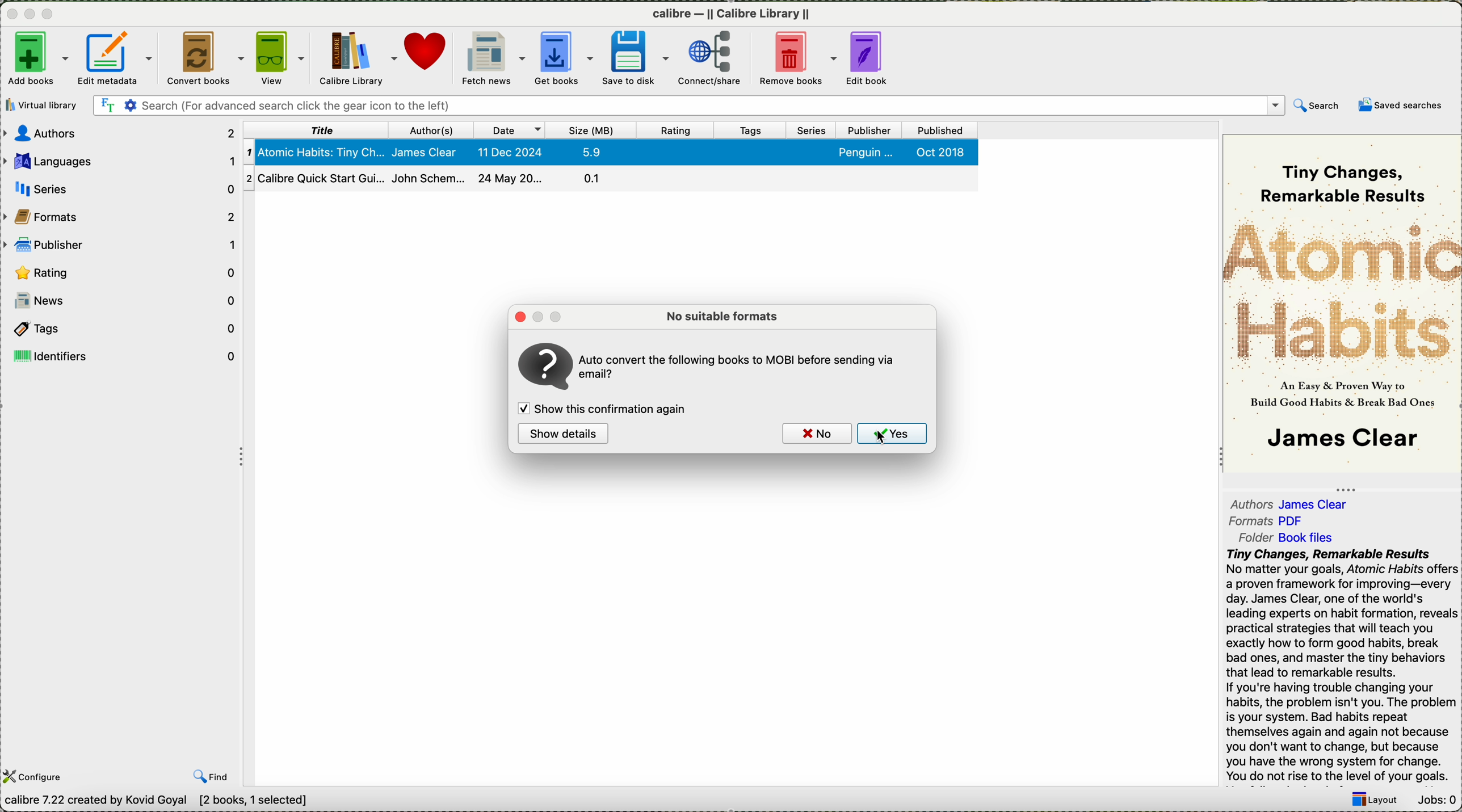  I want to click on calibre, so click(731, 15).